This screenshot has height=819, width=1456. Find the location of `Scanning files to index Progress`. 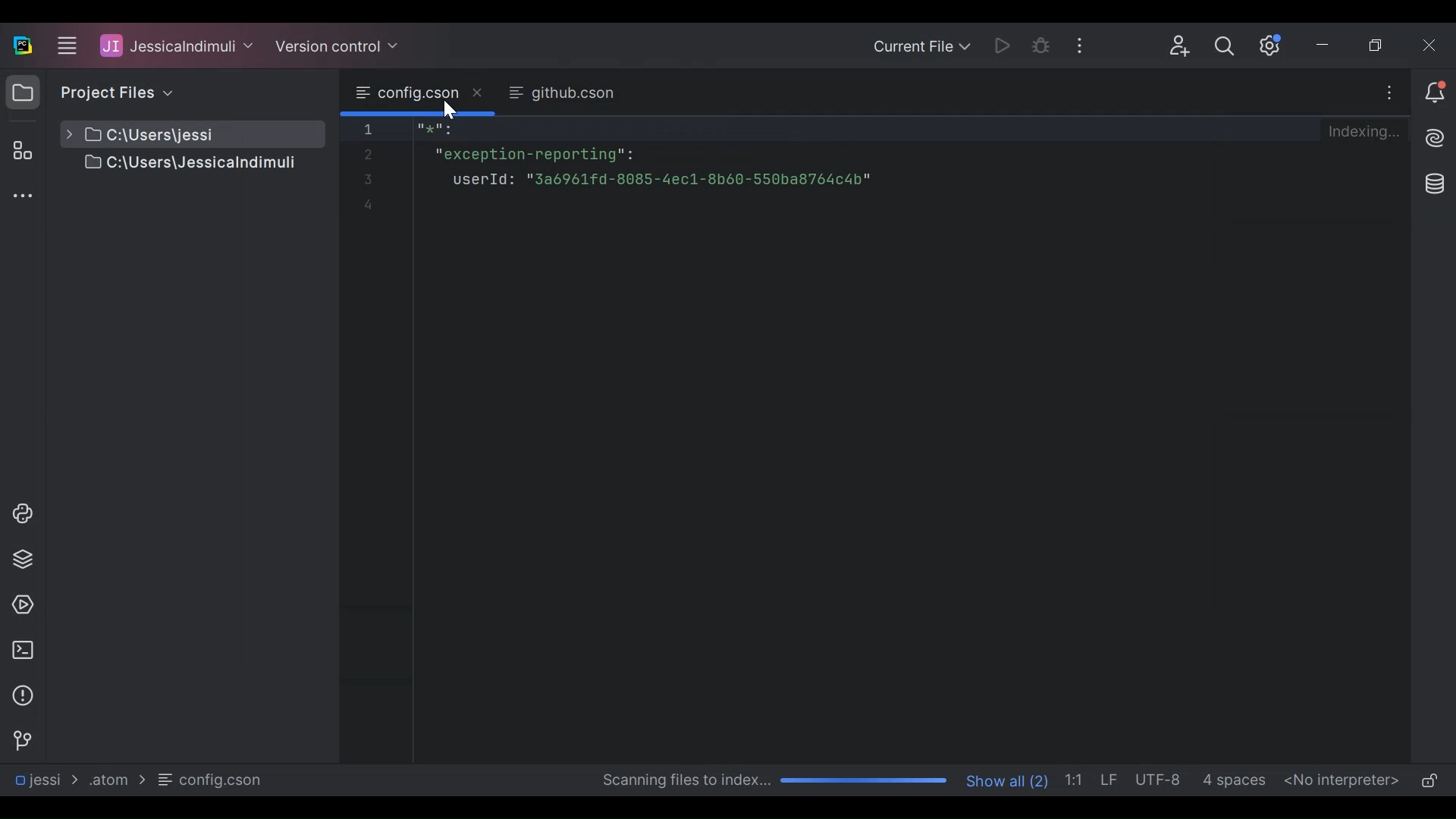

Scanning files to index Progress is located at coordinates (770, 781).